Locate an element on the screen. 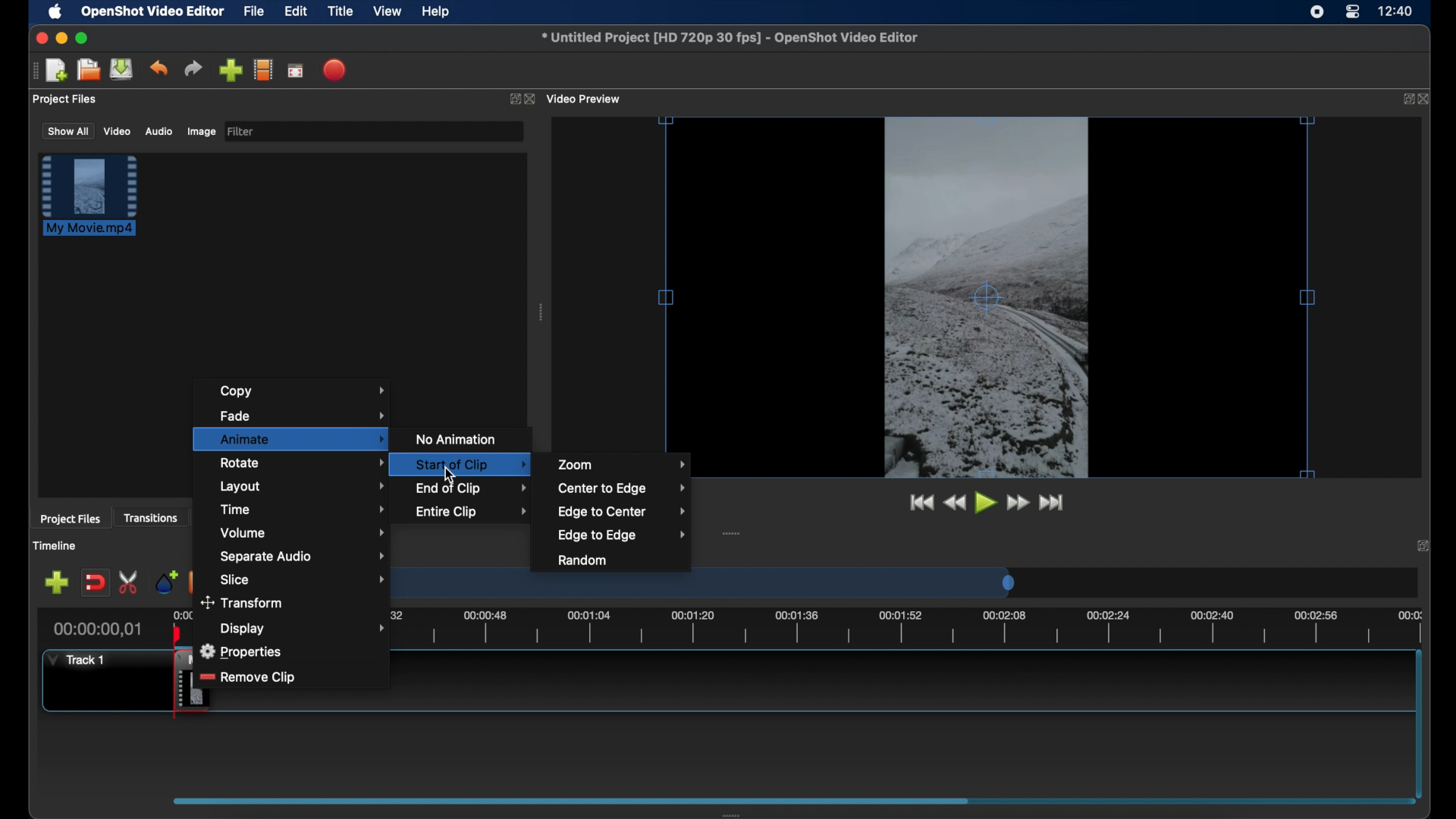 The image size is (1456, 819). zoom menu is located at coordinates (622, 464).